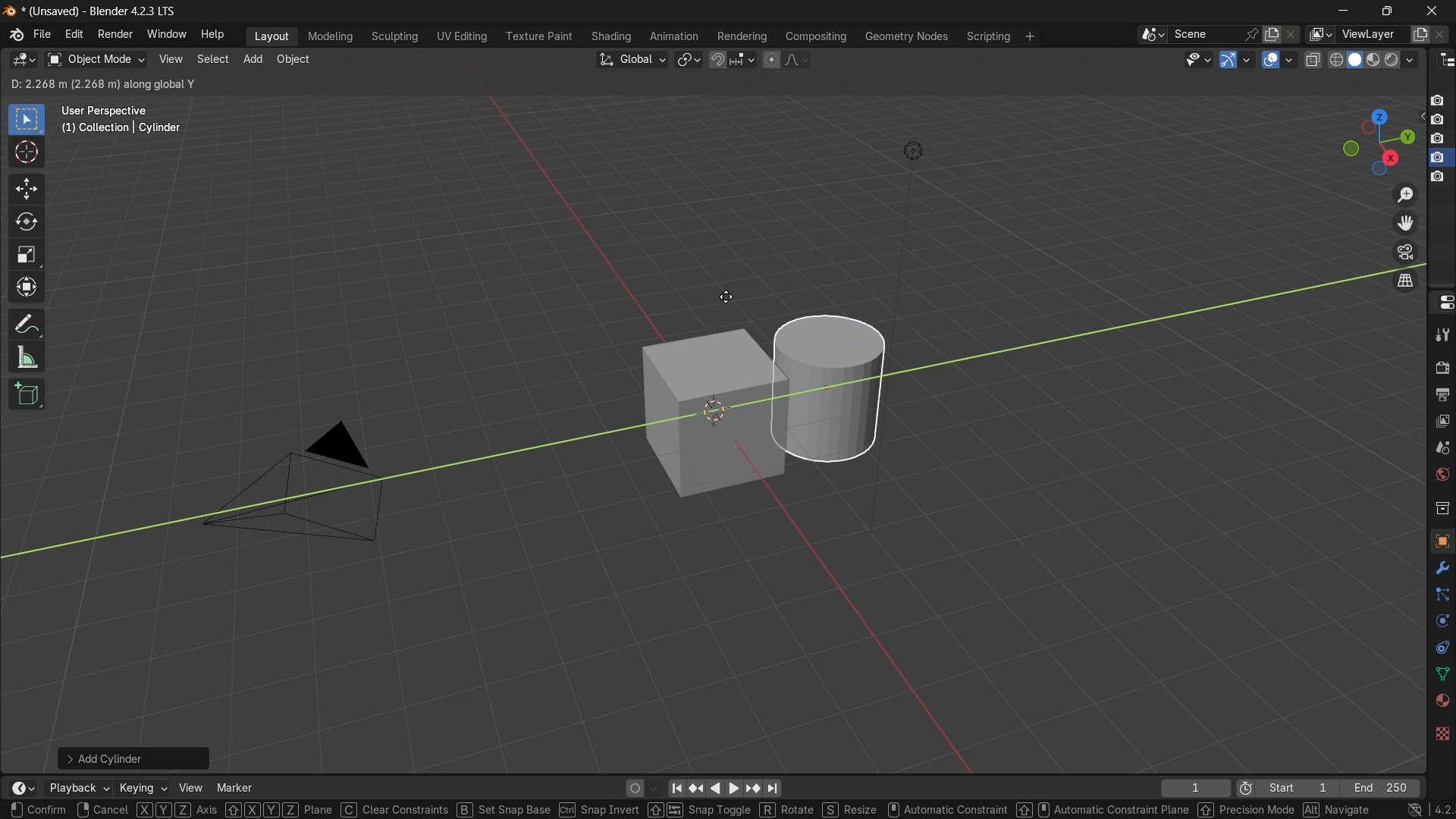 This screenshot has width=1456, height=819. I want to click on scene, so click(1441, 449).